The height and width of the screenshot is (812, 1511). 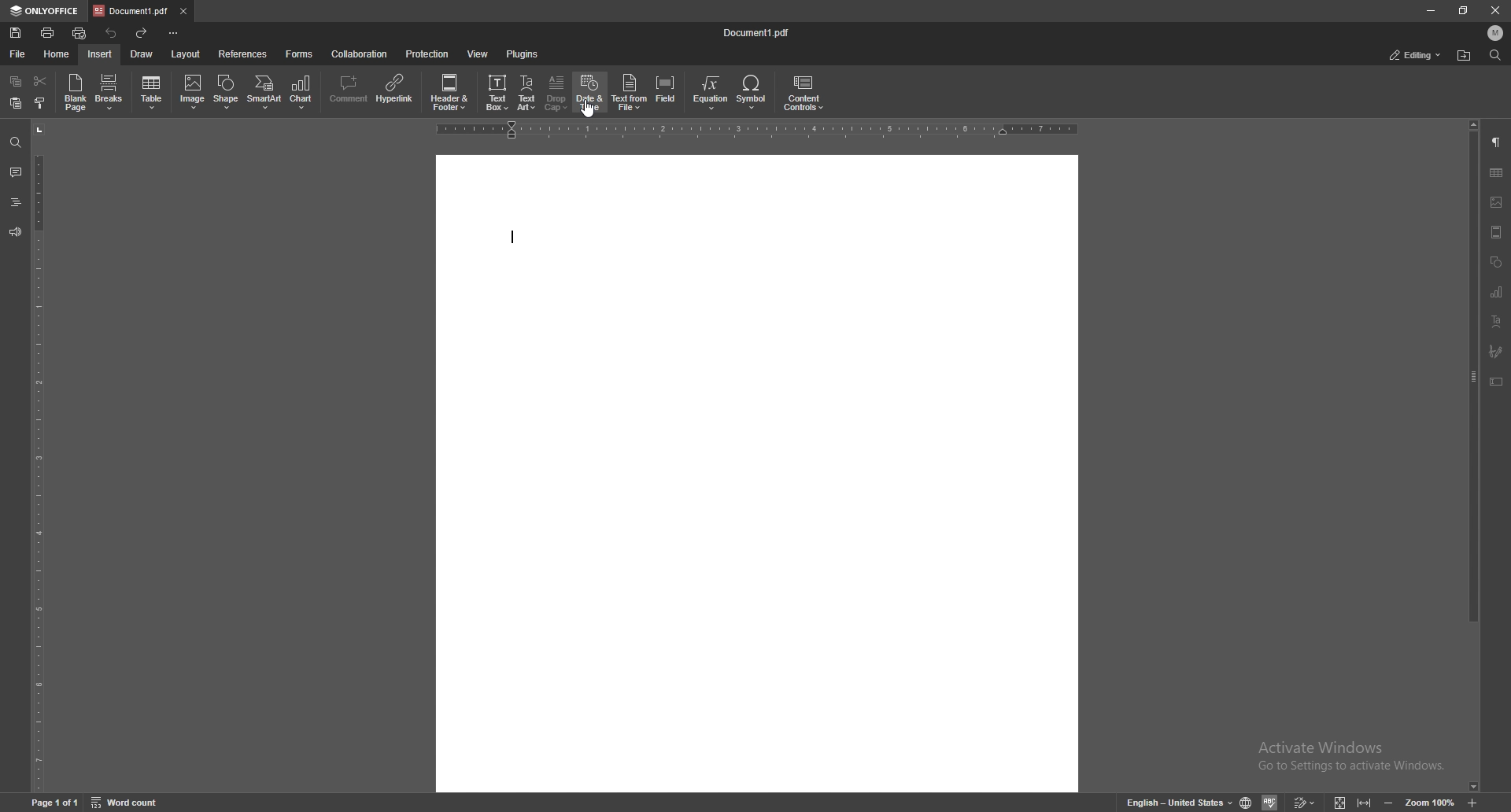 What do you see at coordinates (1494, 32) in the screenshot?
I see `profile` at bounding box center [1494, 32].